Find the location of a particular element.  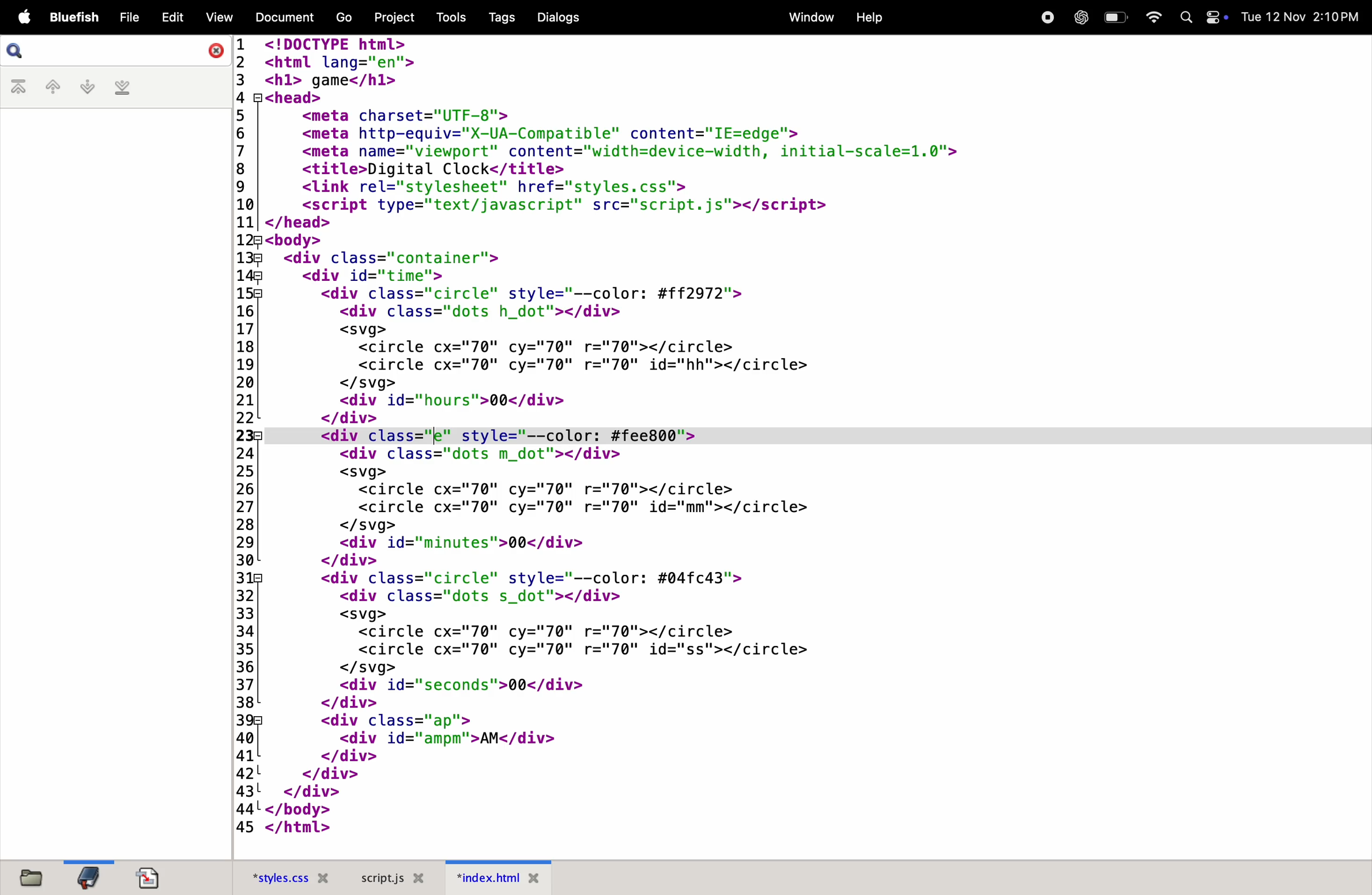

help is located at coordinates (872, 19).